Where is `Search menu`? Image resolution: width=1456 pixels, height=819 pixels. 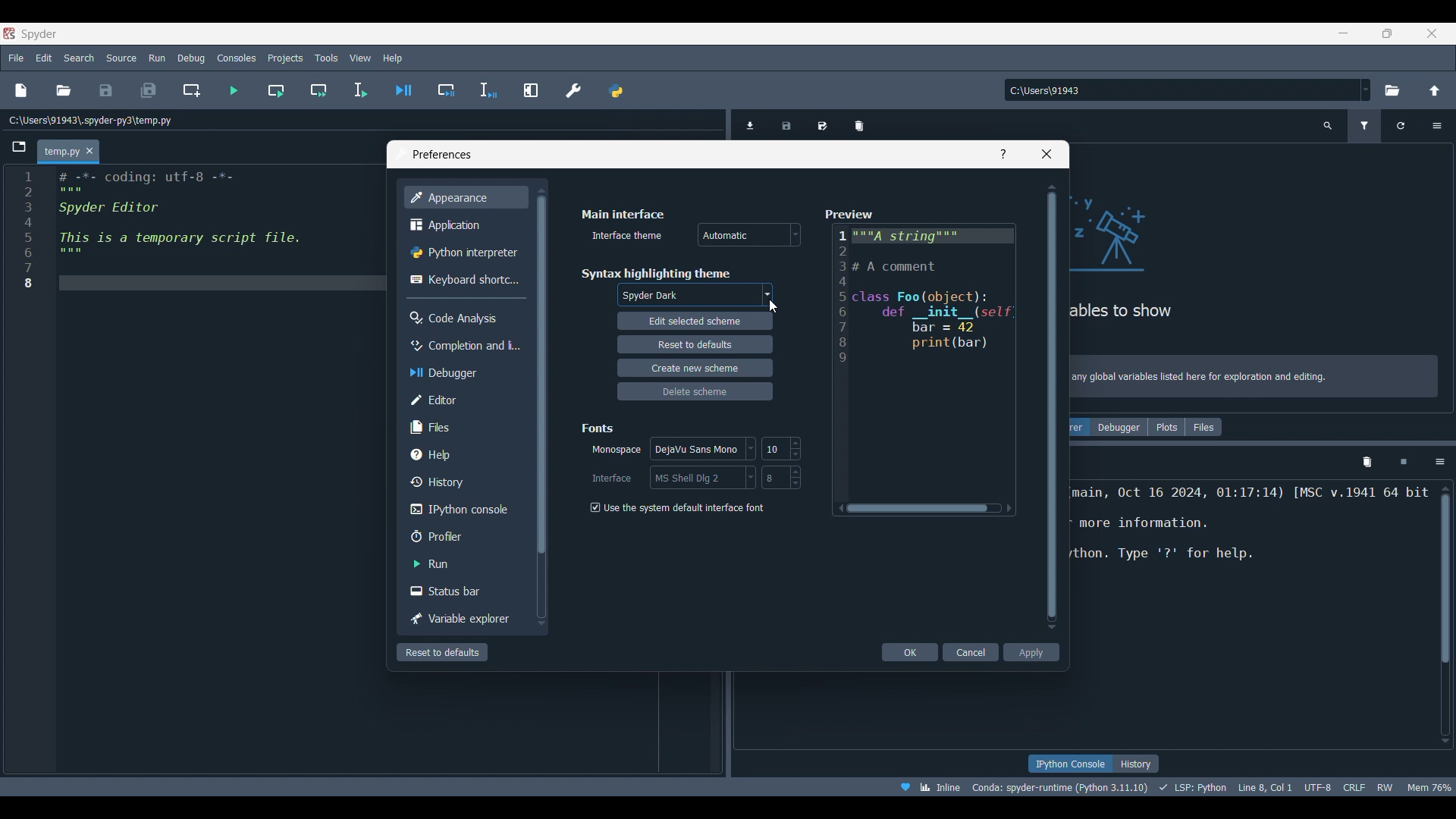
Search menu is located at coordinates (80, 58).